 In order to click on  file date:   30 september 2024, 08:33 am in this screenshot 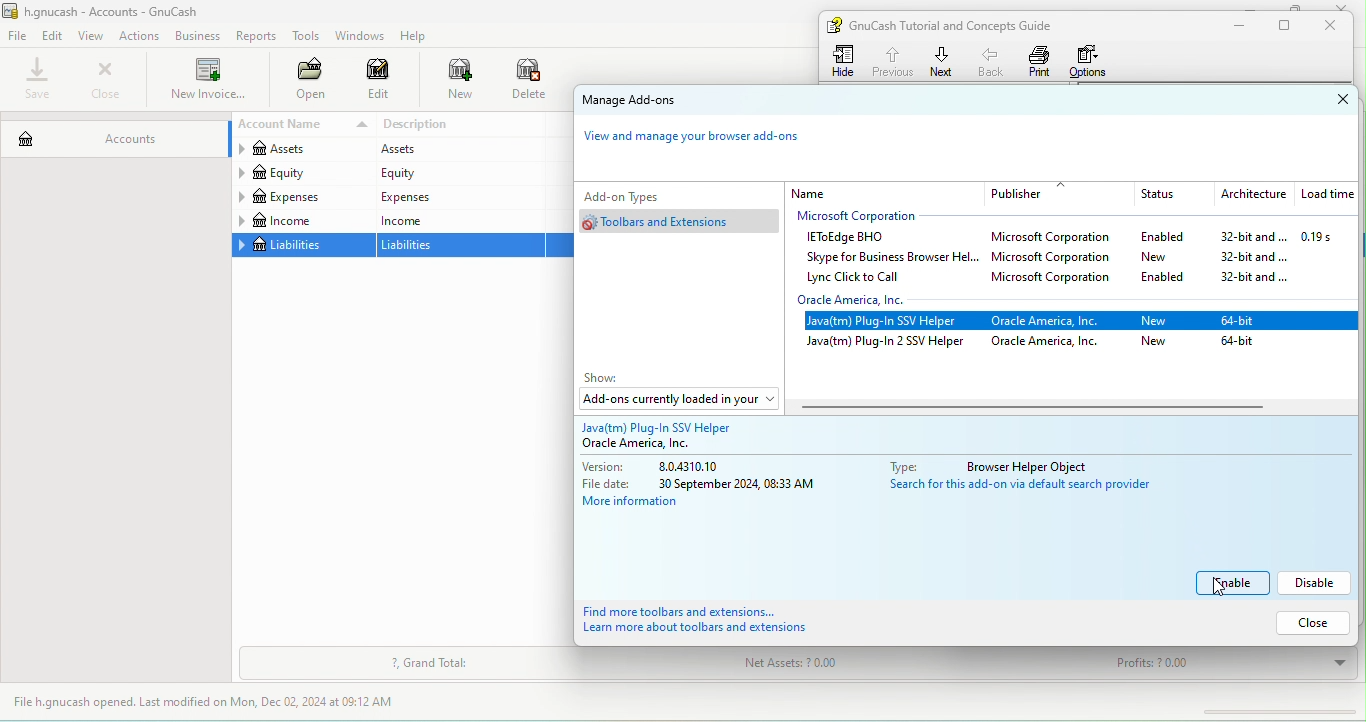, I will do `click(703, 484)`.